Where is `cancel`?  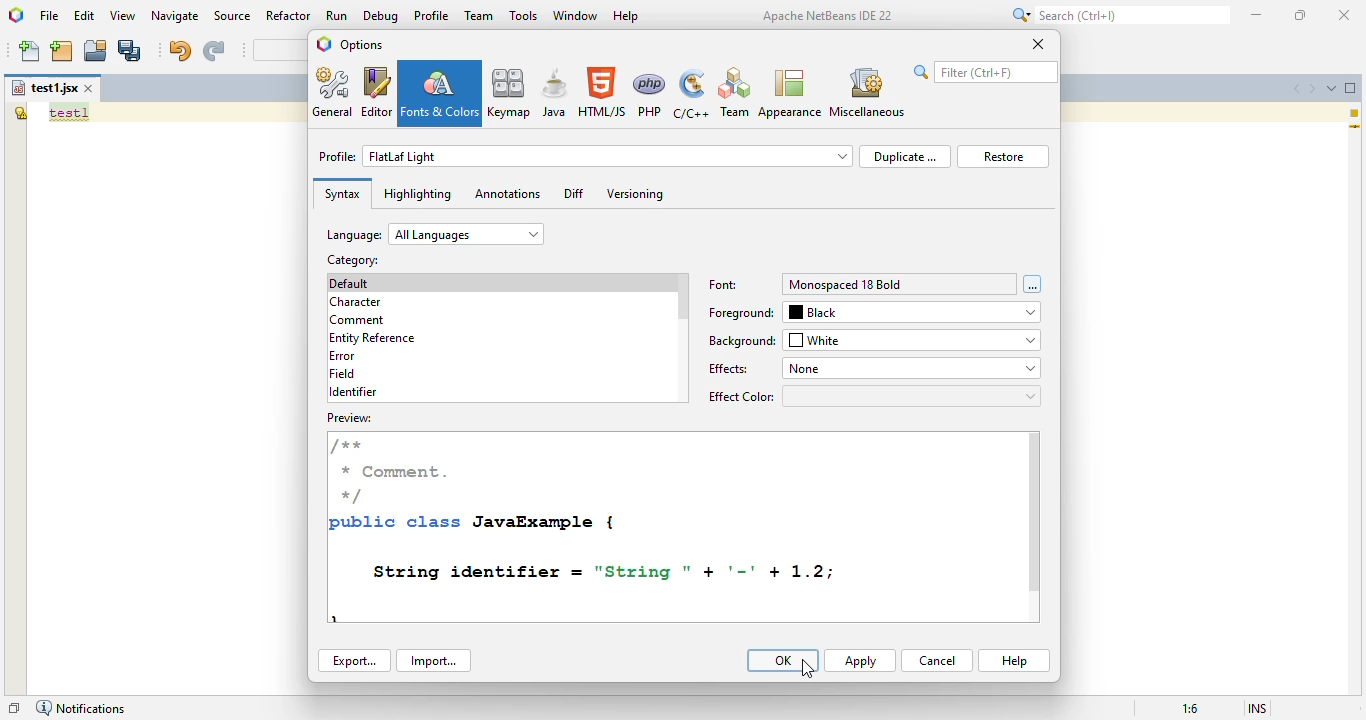 cancel is located at coordinates (937, 660).